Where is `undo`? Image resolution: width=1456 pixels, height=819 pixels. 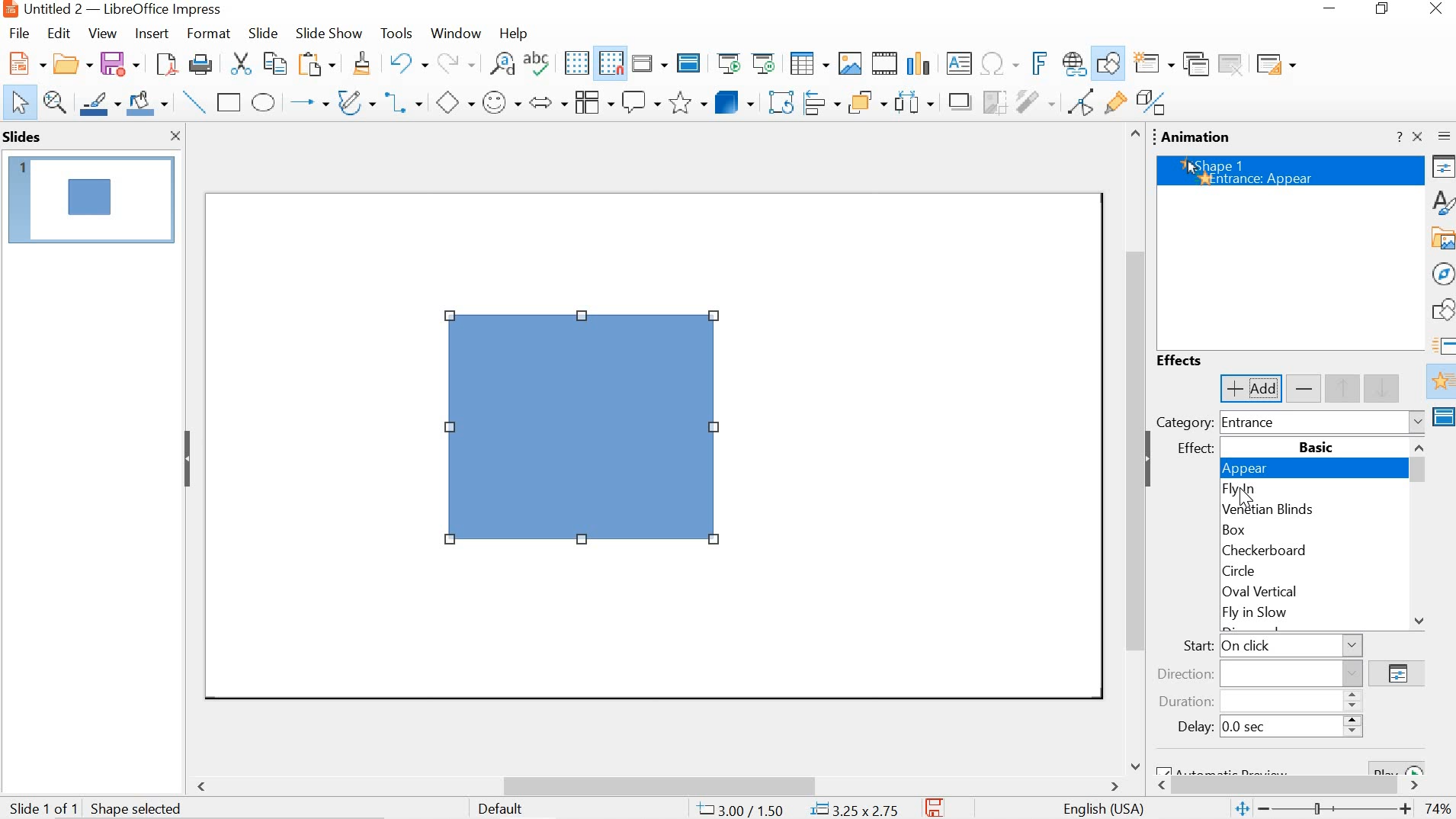 undo is located at coordinates (409, 63).